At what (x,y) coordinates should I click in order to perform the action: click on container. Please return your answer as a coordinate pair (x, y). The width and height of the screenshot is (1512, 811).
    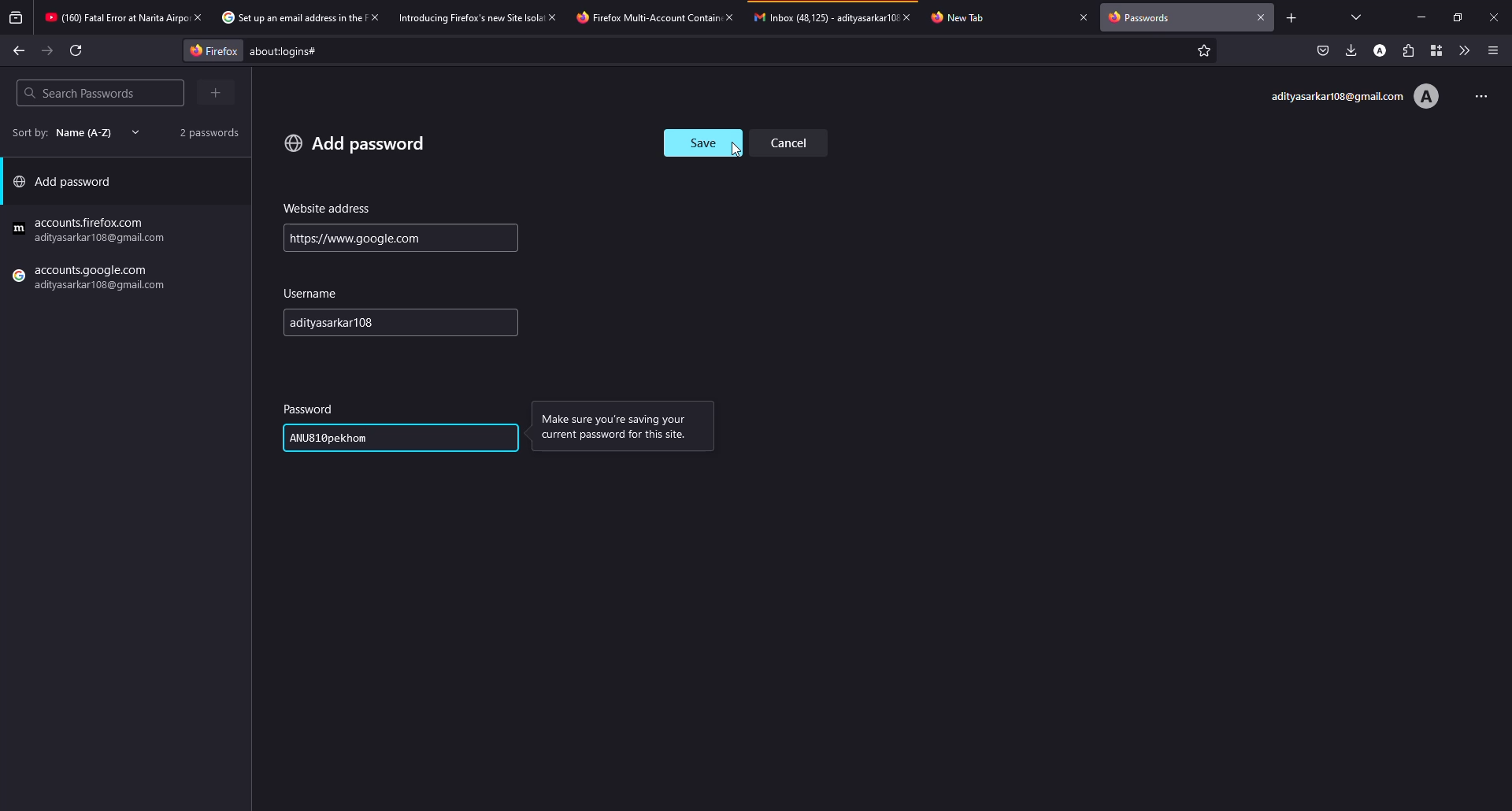
    Looking at the image, I should click on (1432, 50).